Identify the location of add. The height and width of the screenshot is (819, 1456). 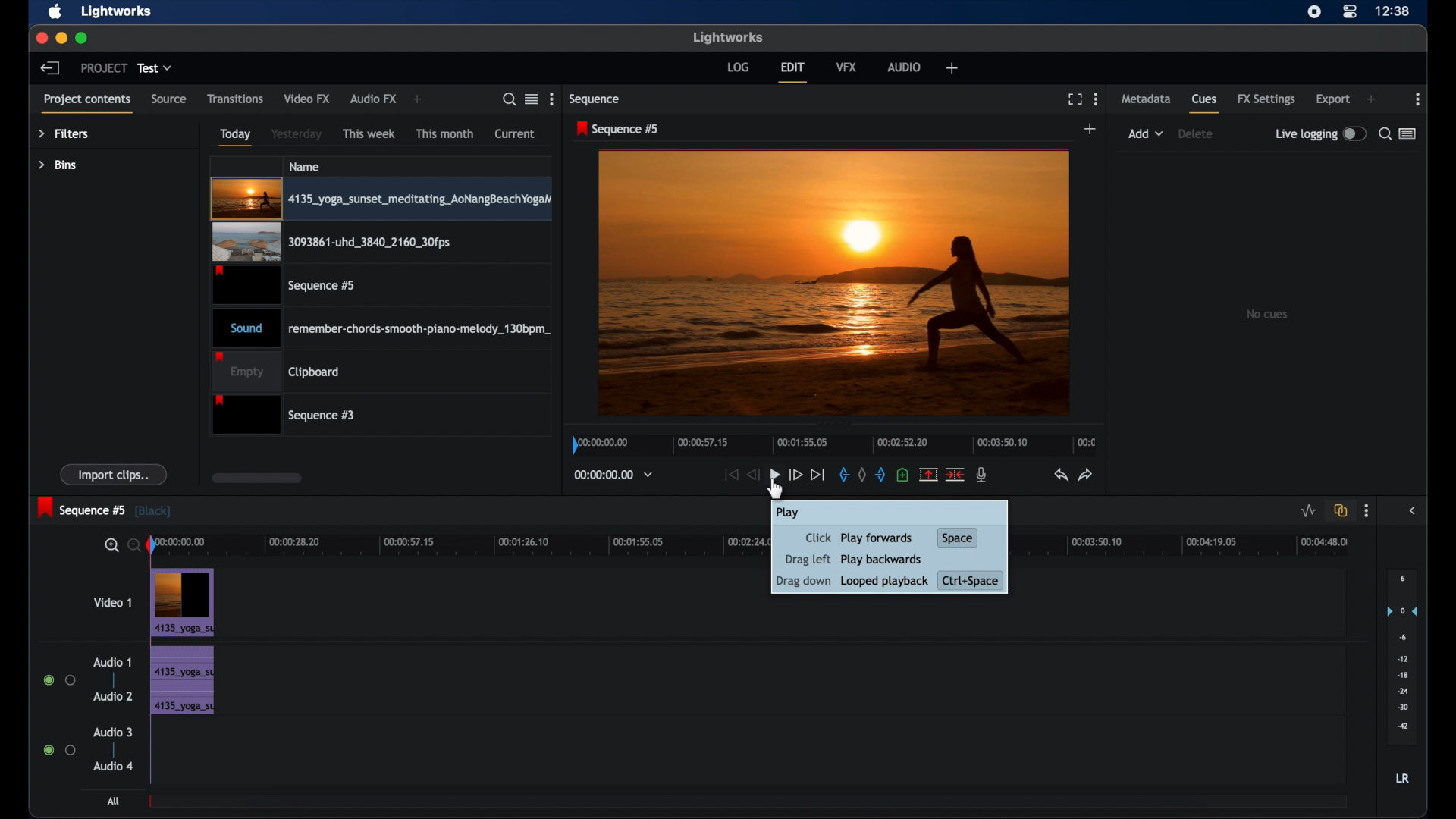
(418, 99).